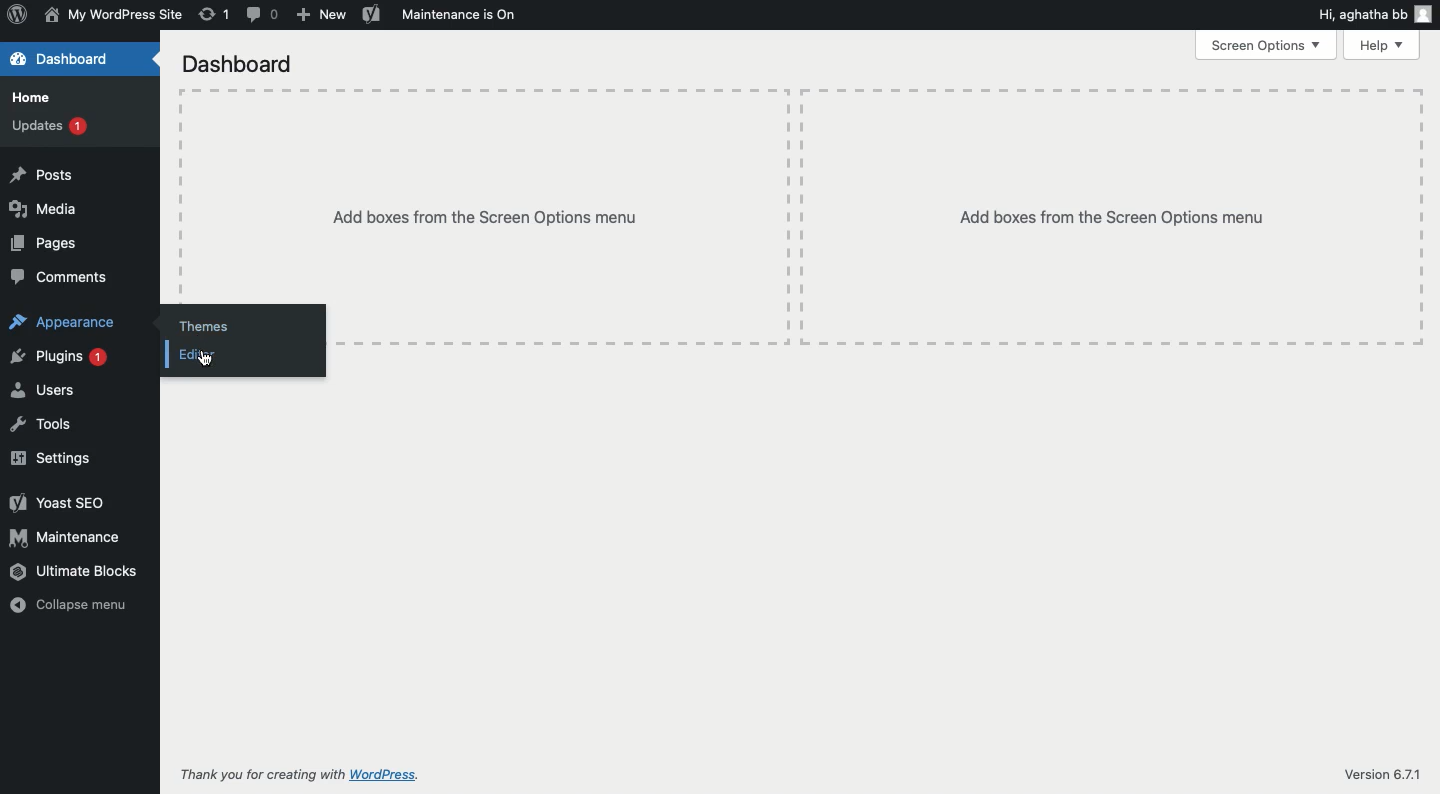  What do you see at coordinates (204, 328) in the screenshot?
I see `Themes` at bounding box center [204, 328].